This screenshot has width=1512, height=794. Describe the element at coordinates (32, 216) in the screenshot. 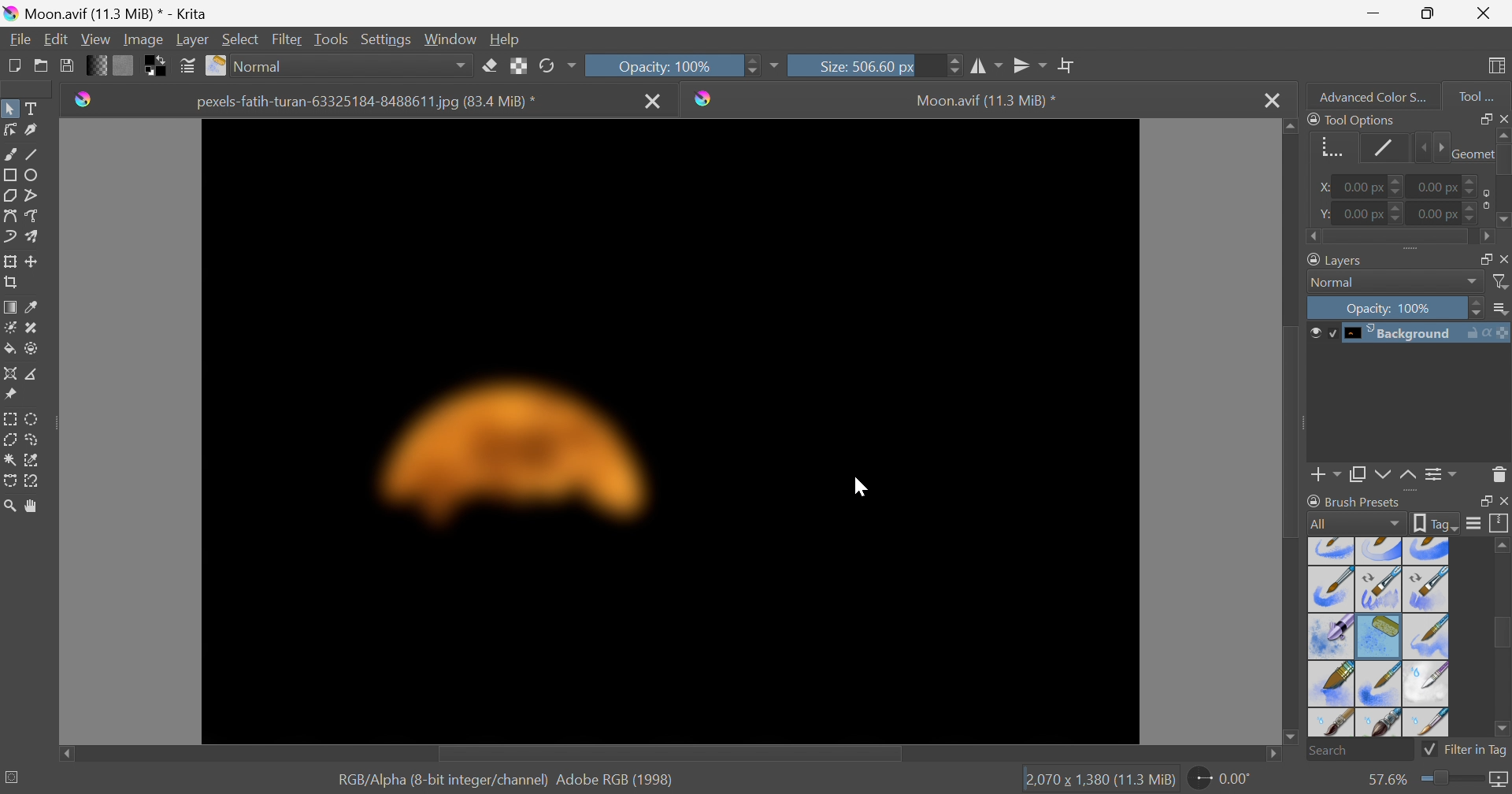

I see `Freehand path tool` at that location.